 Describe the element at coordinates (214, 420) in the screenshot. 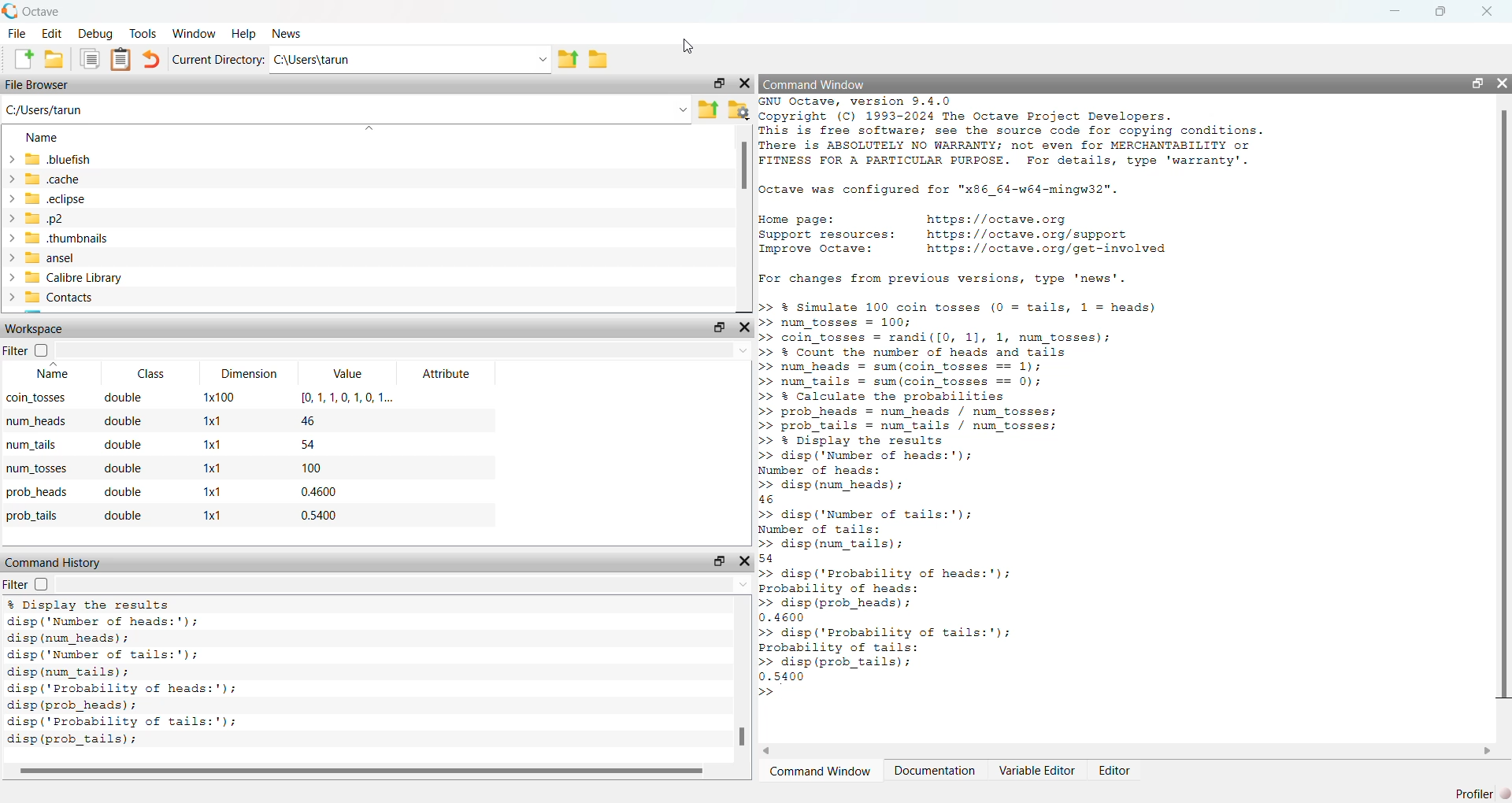

I see `1x1` at that location.